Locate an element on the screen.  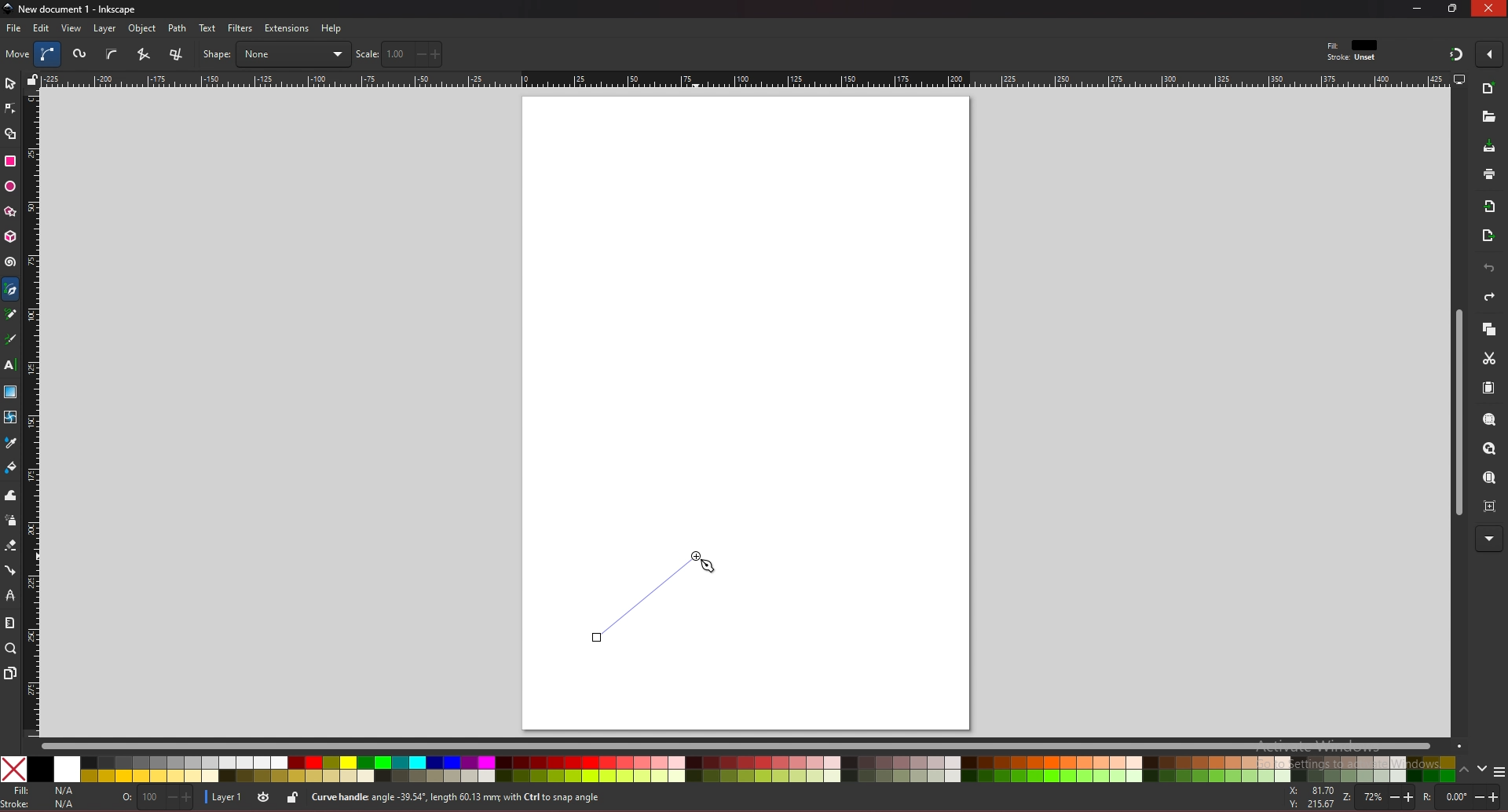
filters is located at coordinates (241, 28).